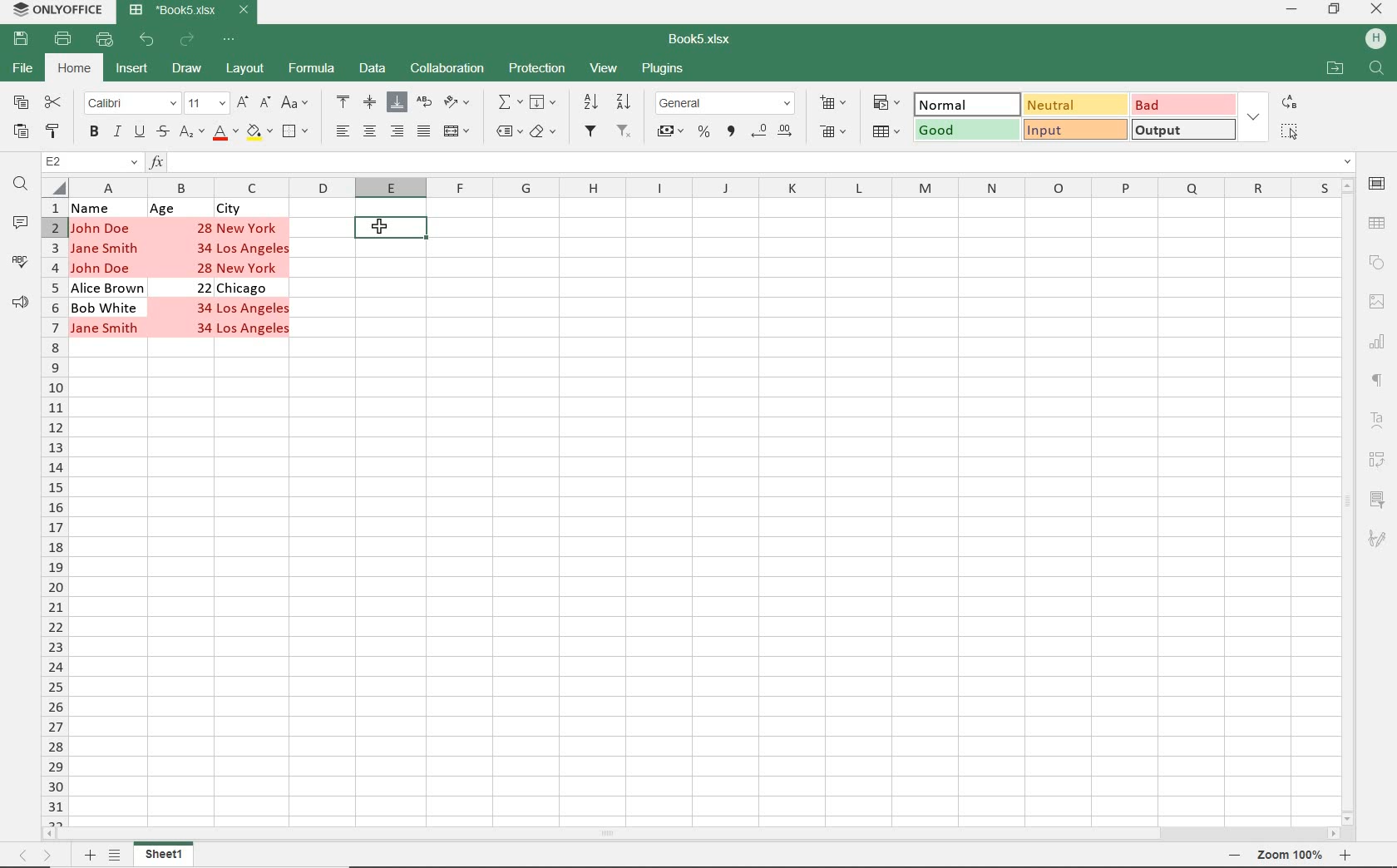  What do you see at coordinates (664, 70) in the screenshot?
I see `PLUGINS` at bounding box center [664, 70].